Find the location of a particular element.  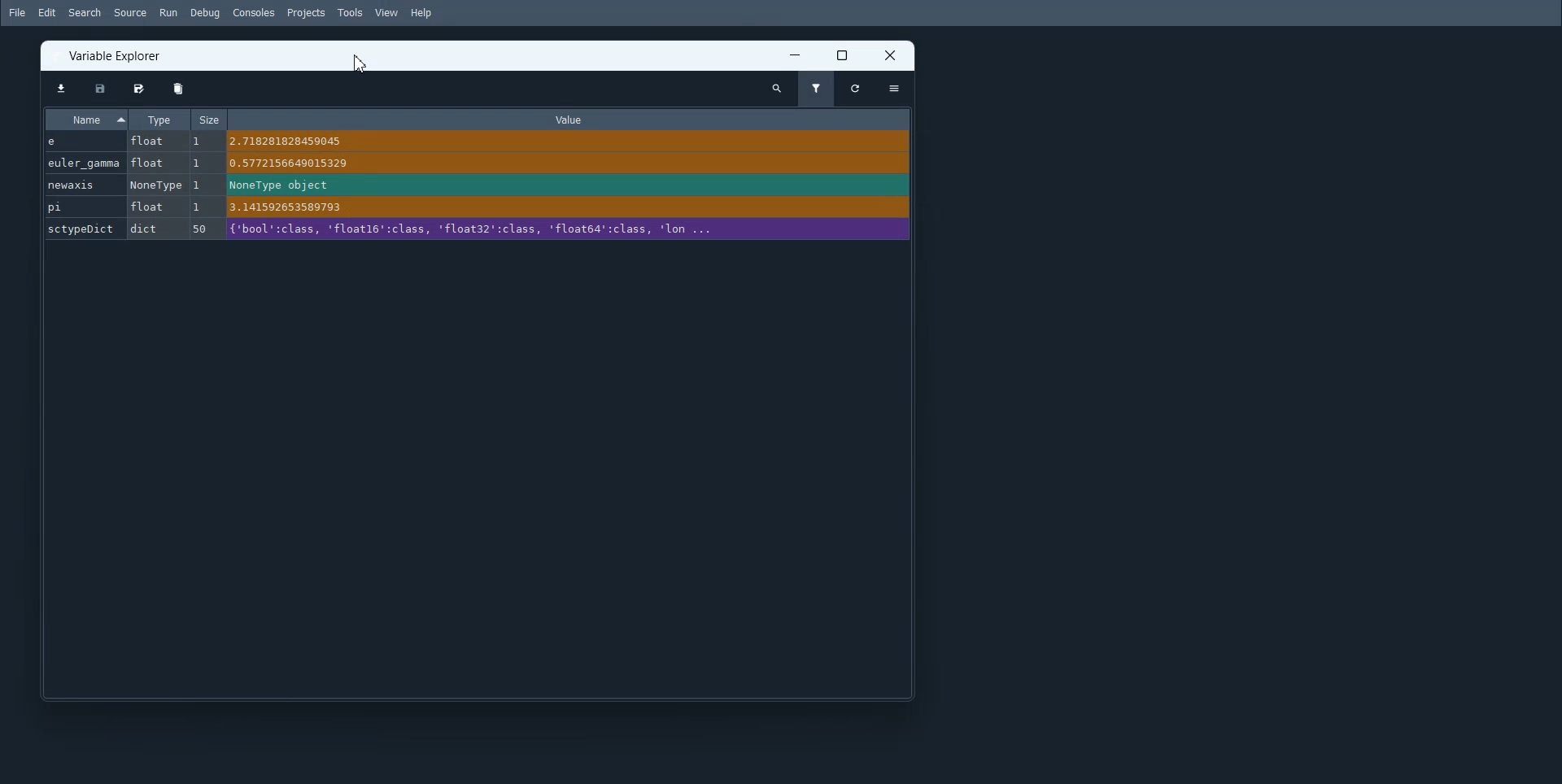

newaxis is located at coordinates (83, 184).